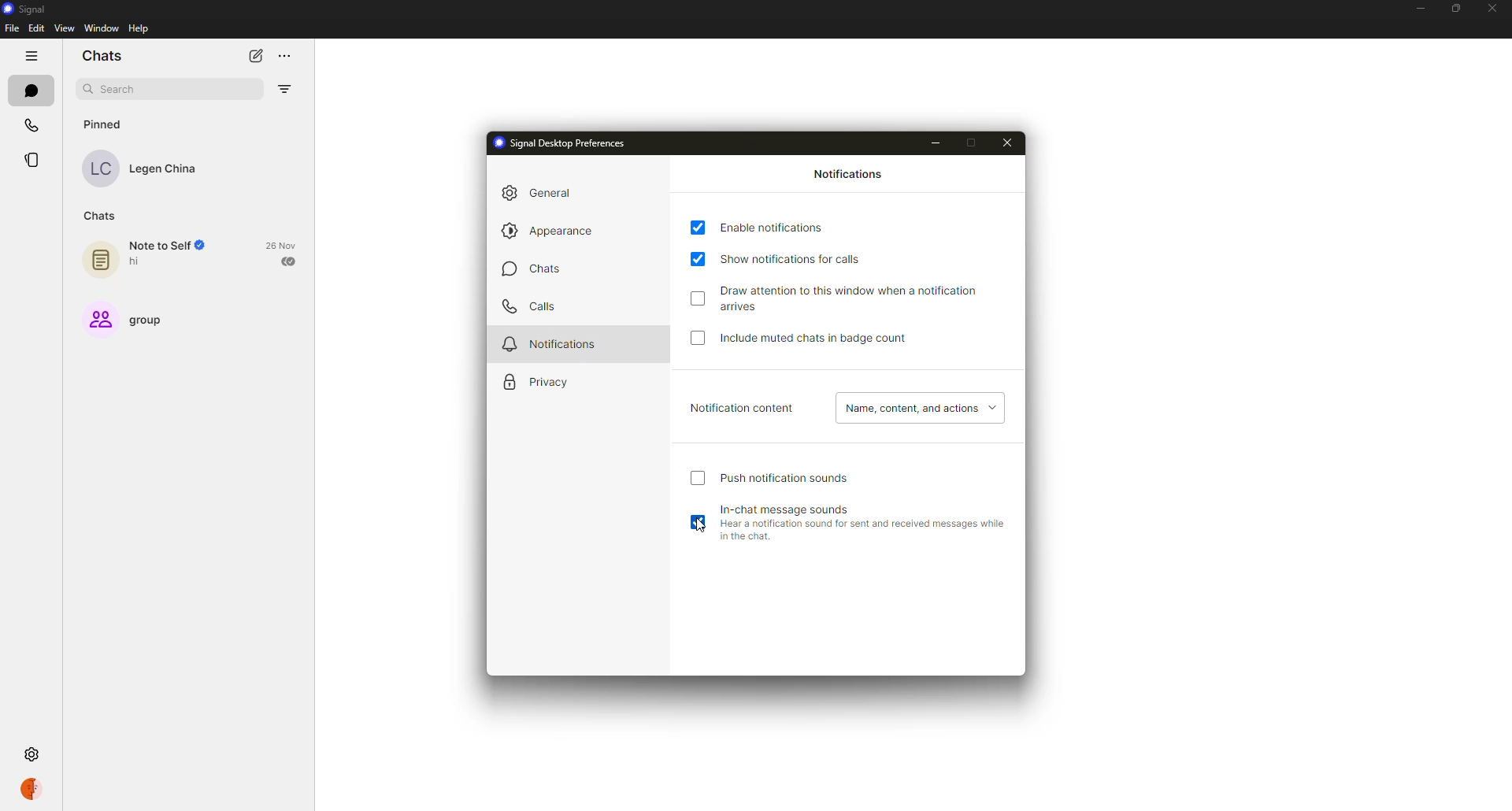 This screenshot has height=811, width=1512. Describe the element at coordinates (933, 142) in the screenshot. I see `minimize` at that location.